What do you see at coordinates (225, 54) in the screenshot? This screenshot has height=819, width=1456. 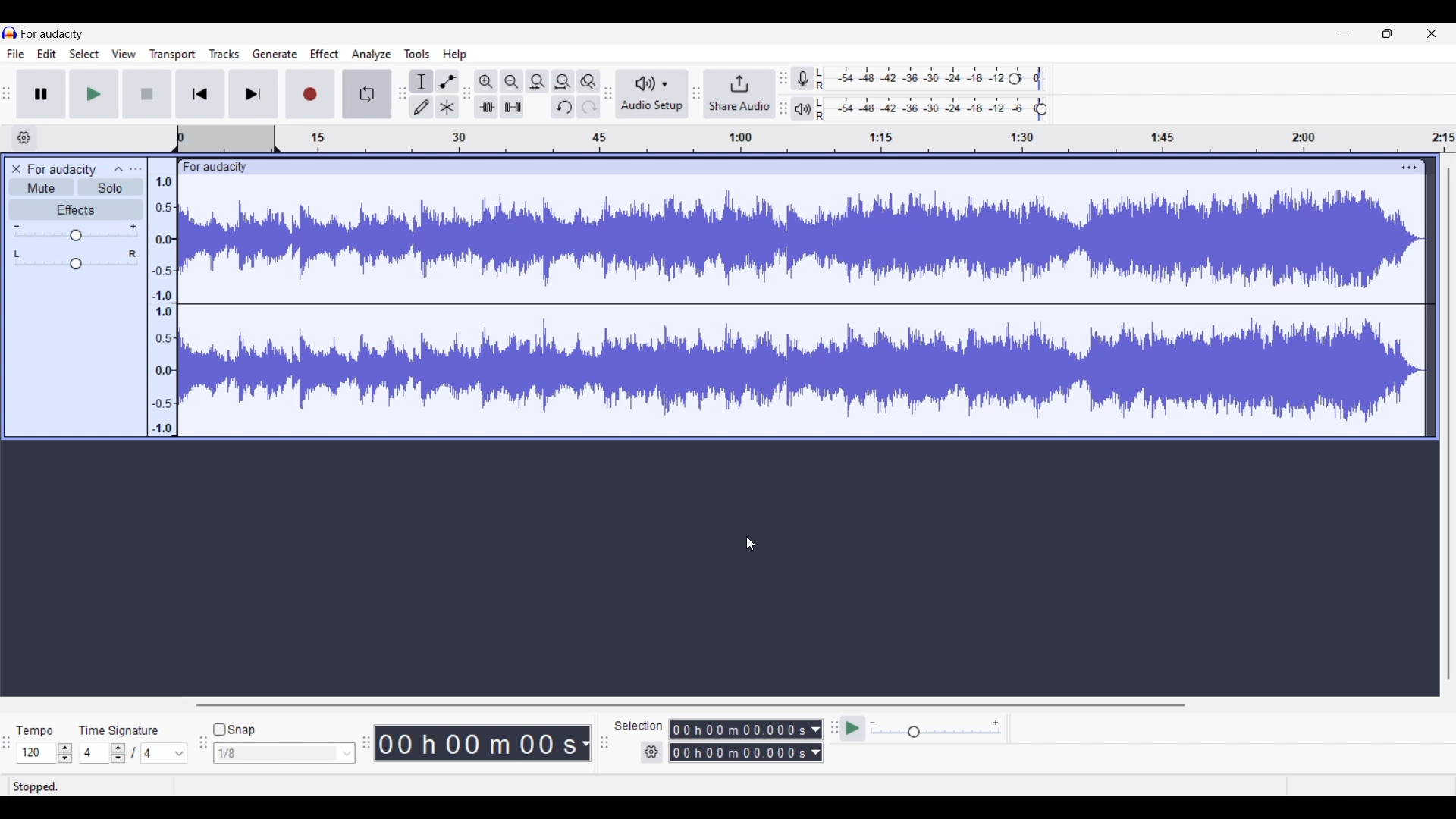 I see `Tracks menu` at bounding box center [225, 54].